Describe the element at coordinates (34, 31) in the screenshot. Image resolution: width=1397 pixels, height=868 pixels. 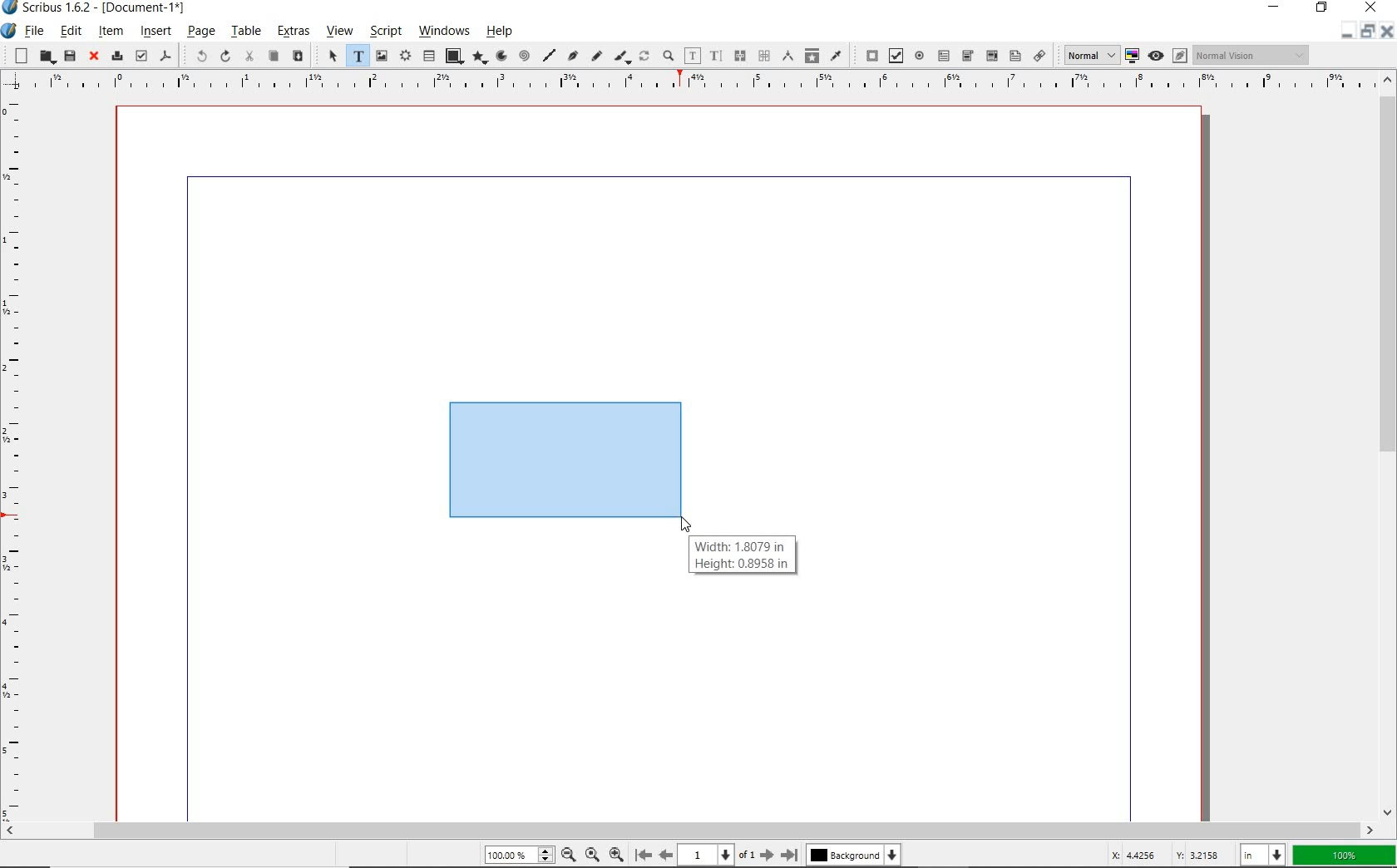
I see `file` at that location.